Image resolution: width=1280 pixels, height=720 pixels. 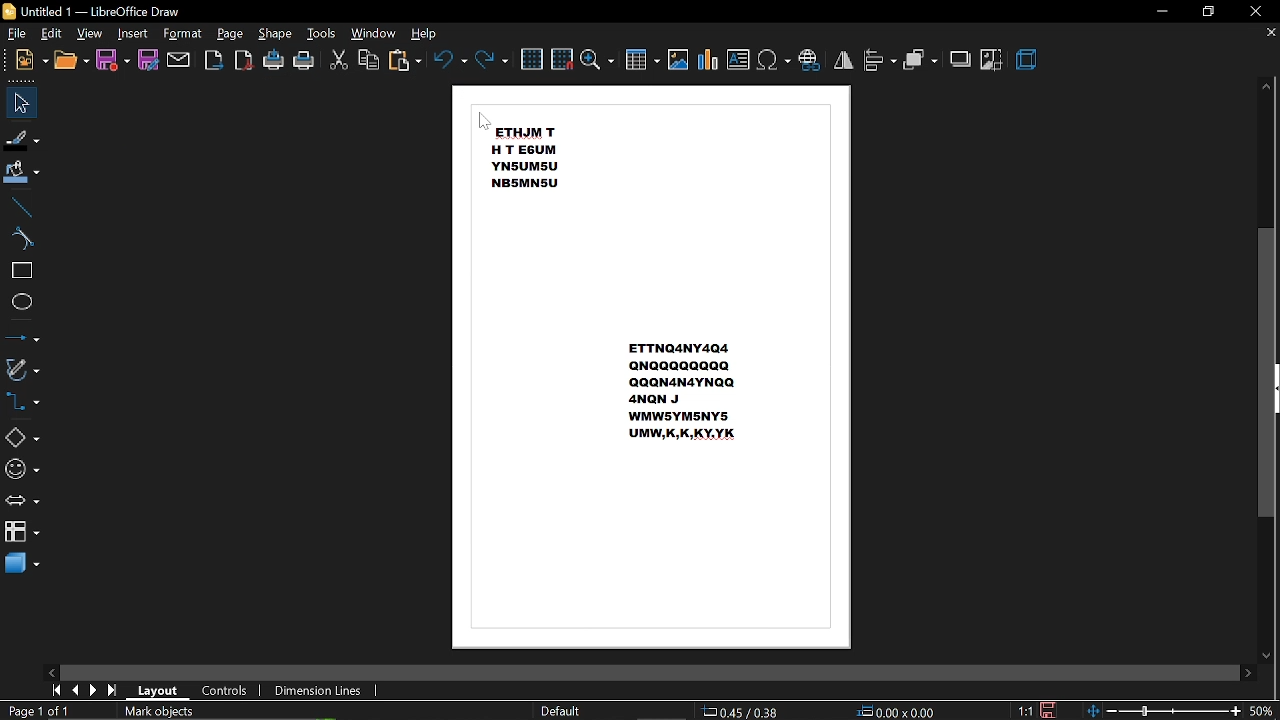 What do you see at coordinates (53, 34) in the screenshot?
I see `edit` at bounding box center [53, 34].